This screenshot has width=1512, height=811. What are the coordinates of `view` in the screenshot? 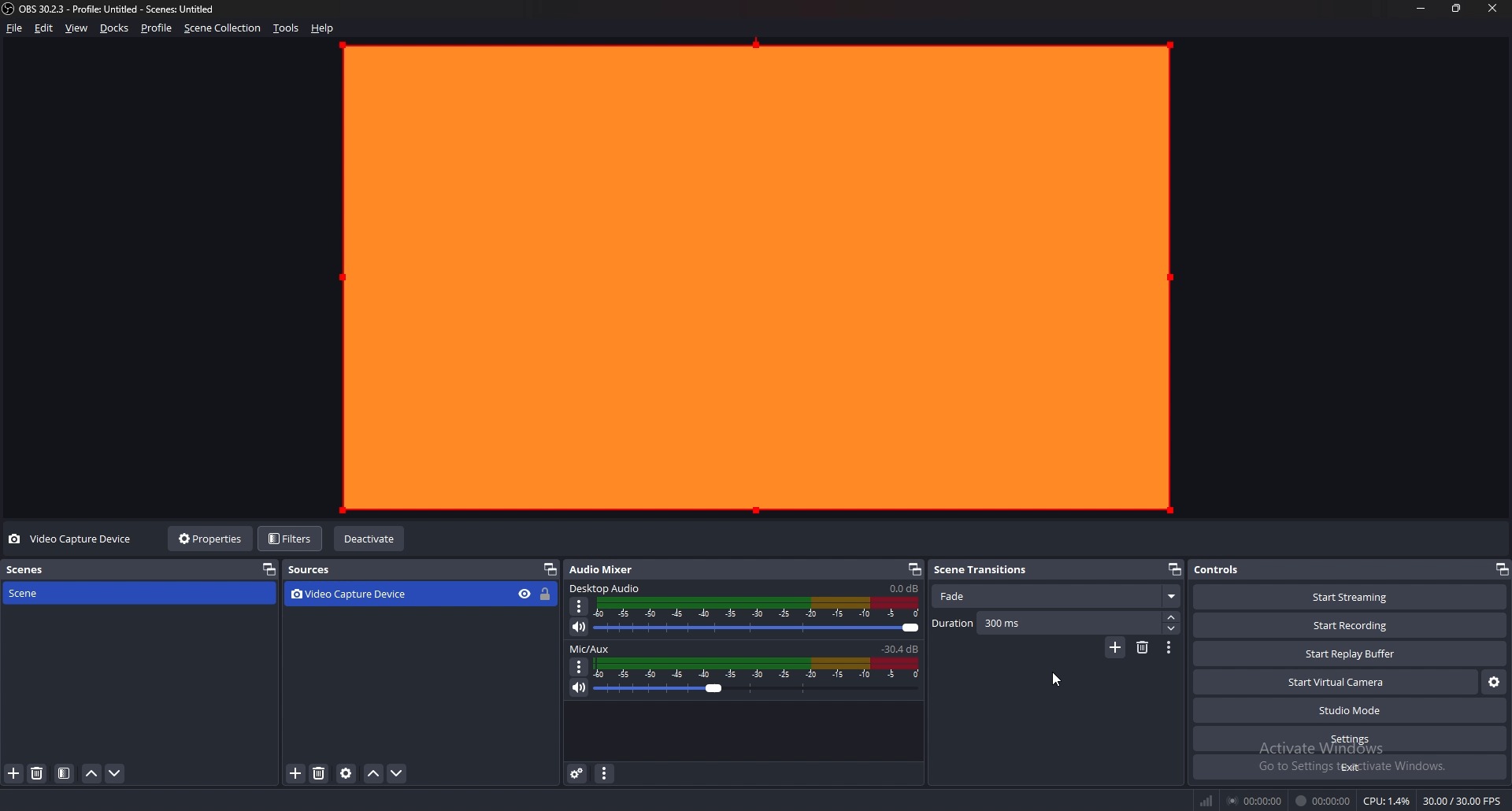 It's located at (77, 28).